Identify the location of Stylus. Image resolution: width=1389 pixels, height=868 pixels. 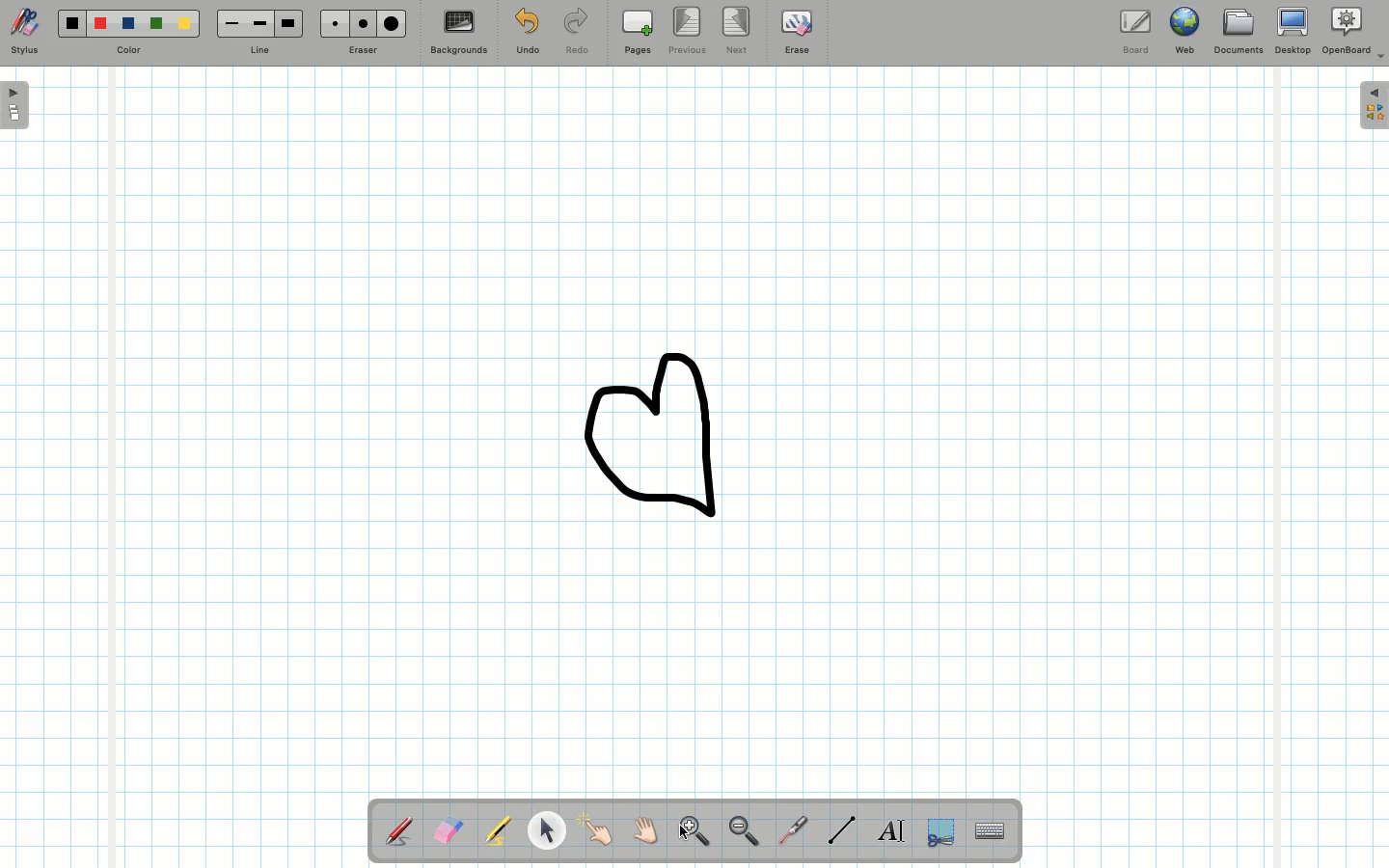
(26, 32).